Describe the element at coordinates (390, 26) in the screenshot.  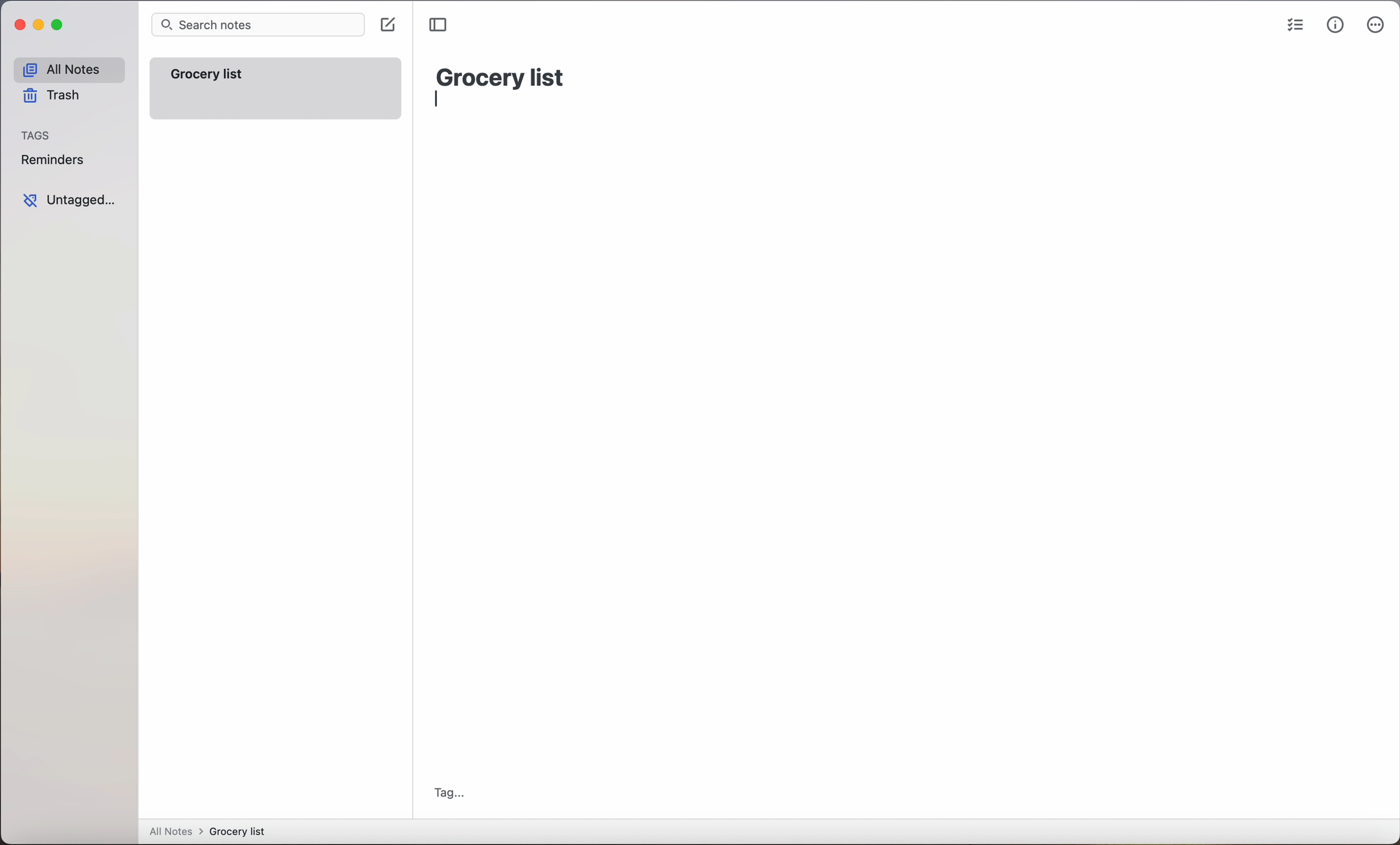
I see `click on create note` at that location.